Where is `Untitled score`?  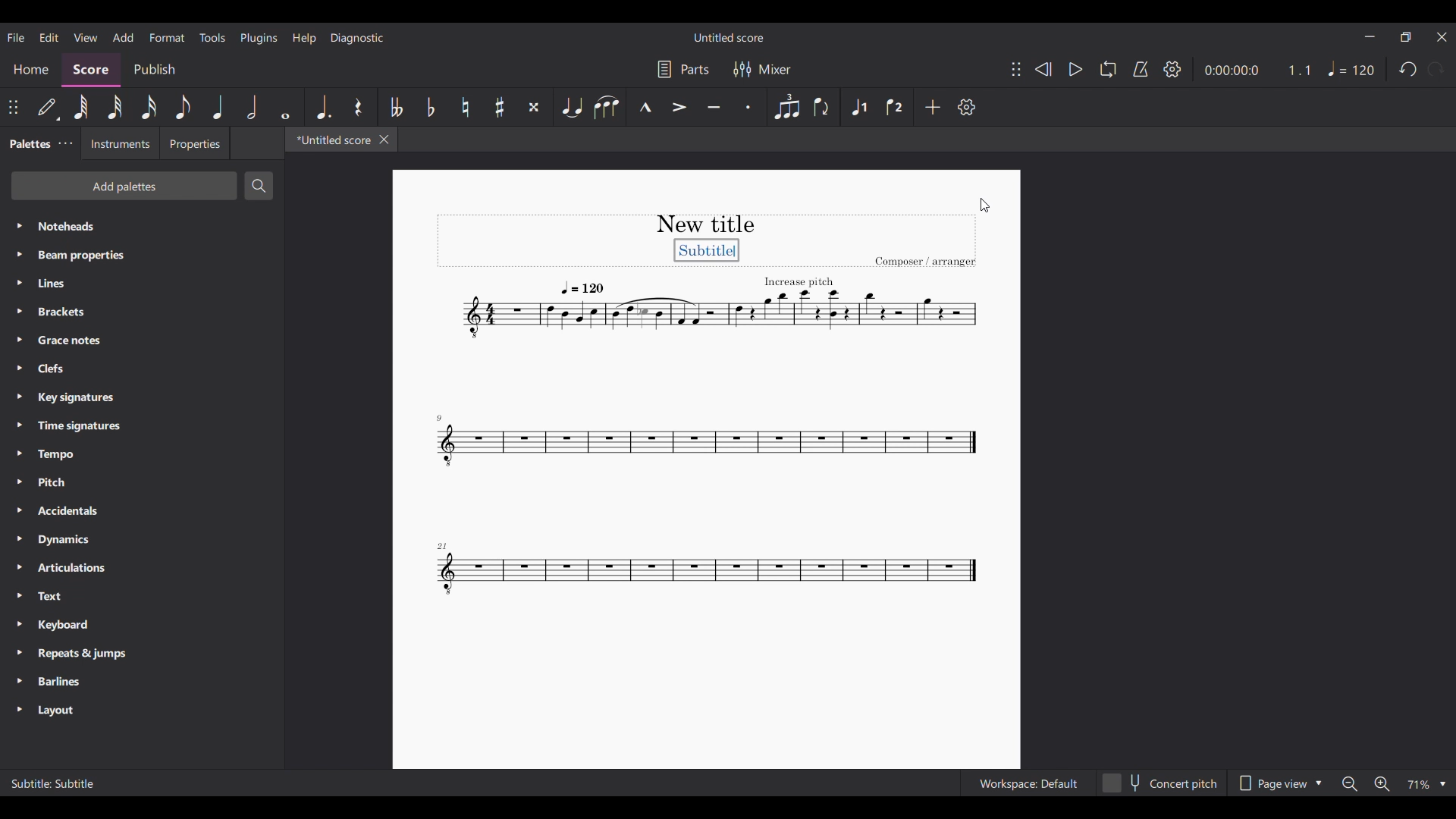 Untitled score is located at coordinates (730, 38).